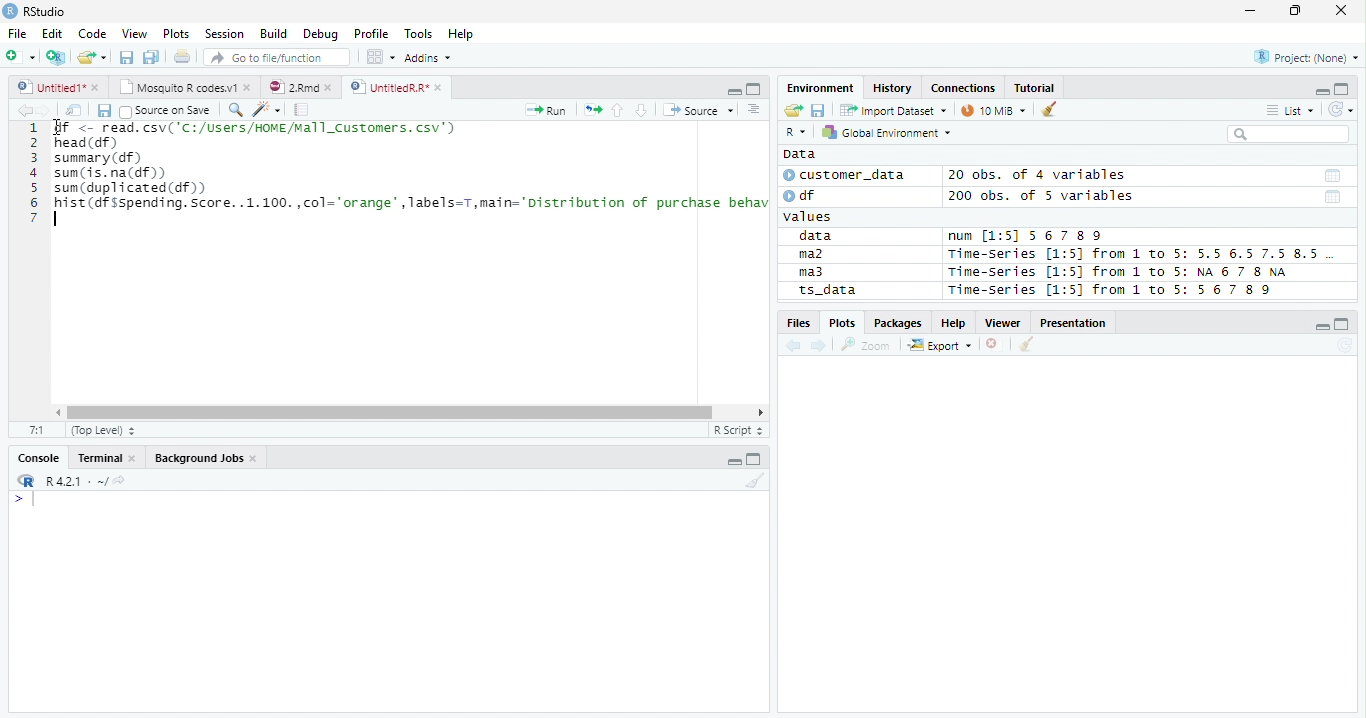  I want to click on Untitiled1, so click(57, 87).